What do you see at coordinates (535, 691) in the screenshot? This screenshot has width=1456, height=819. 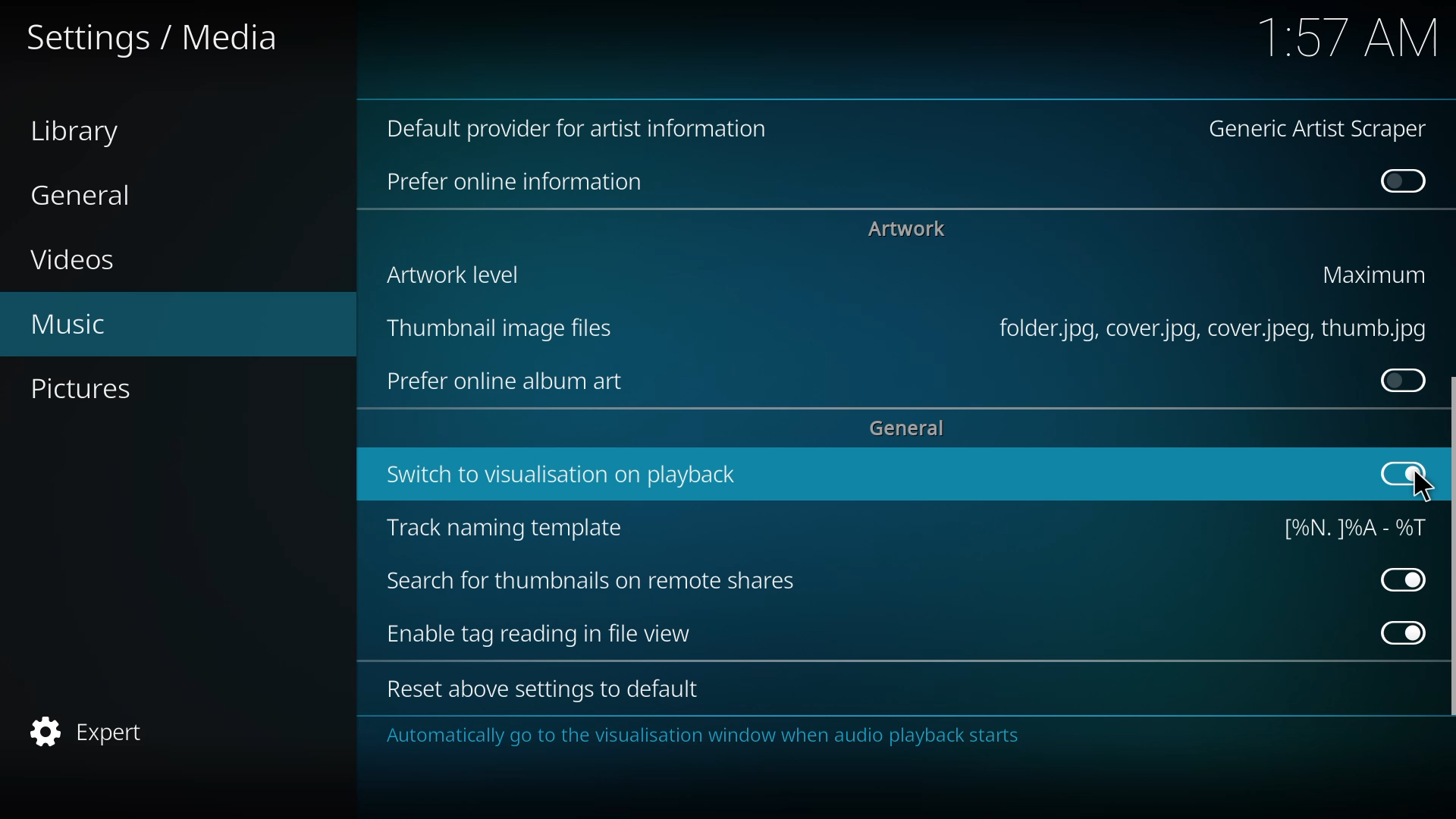 I see `reset to default` at bounding box center [535, 691].